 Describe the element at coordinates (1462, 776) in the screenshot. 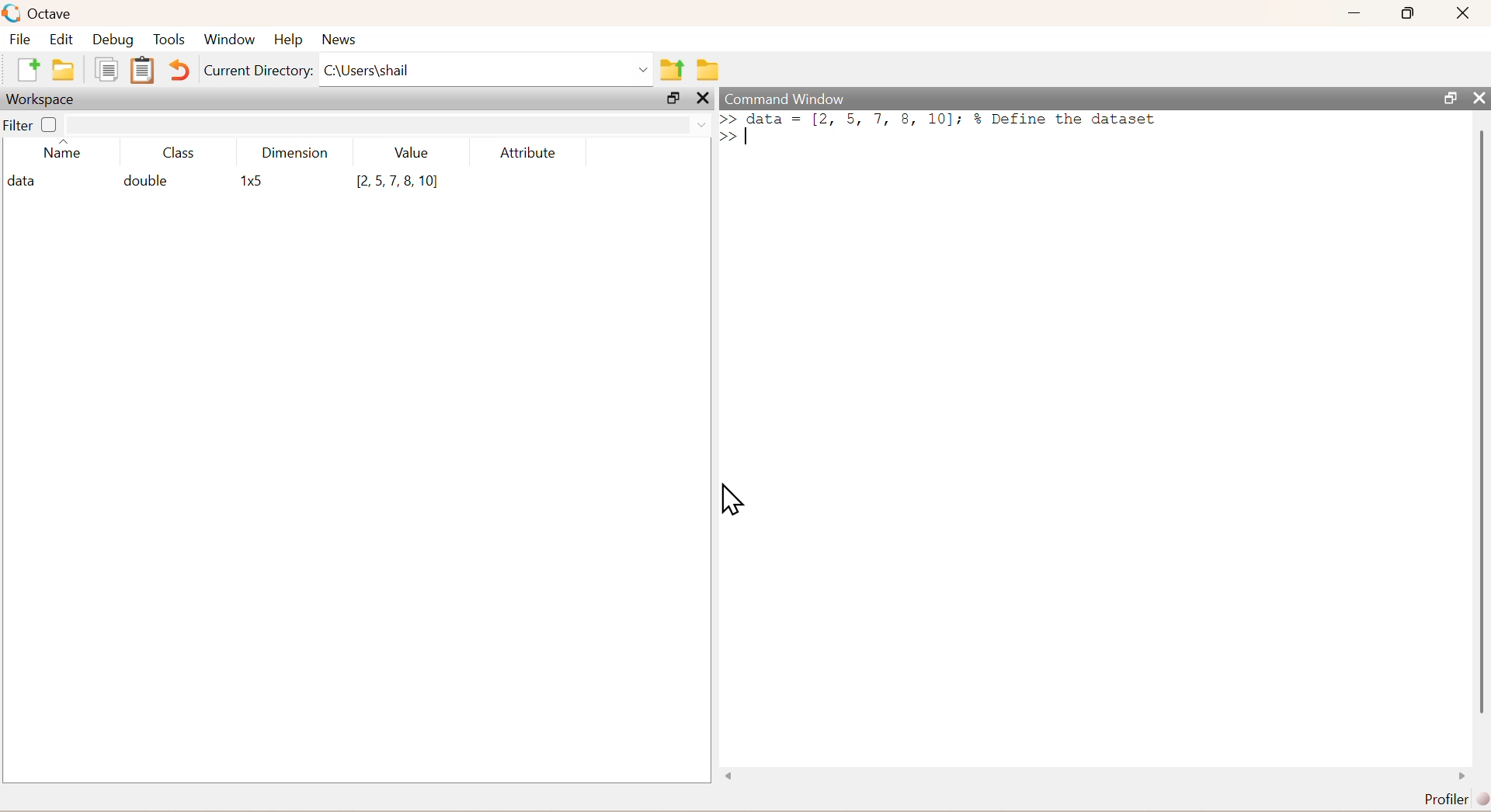

I see `scroll right` at that location.